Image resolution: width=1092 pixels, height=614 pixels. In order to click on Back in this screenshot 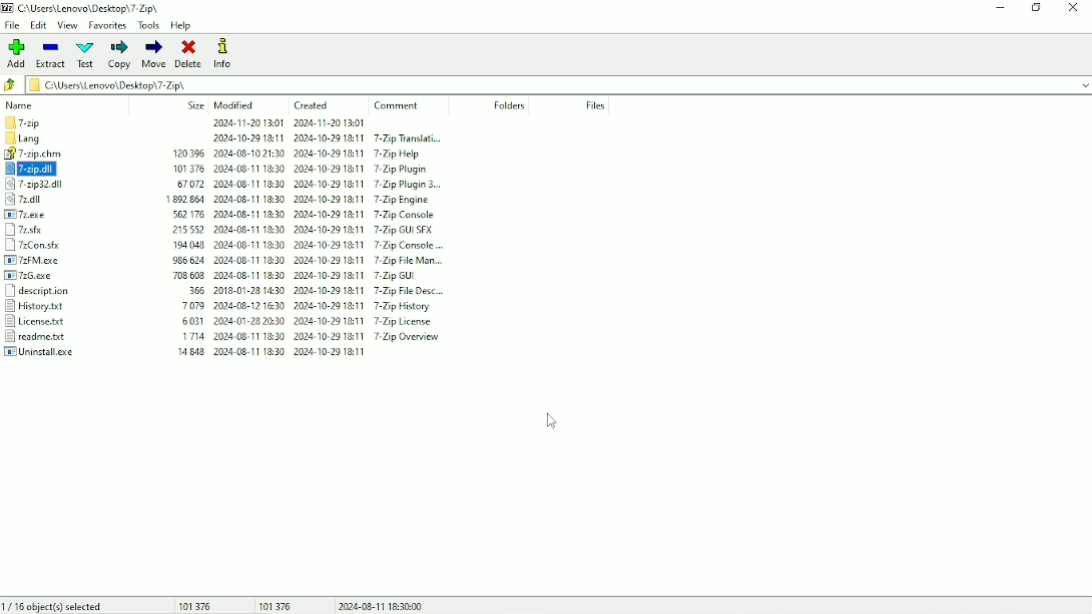, I will do `click(11, 85)`.